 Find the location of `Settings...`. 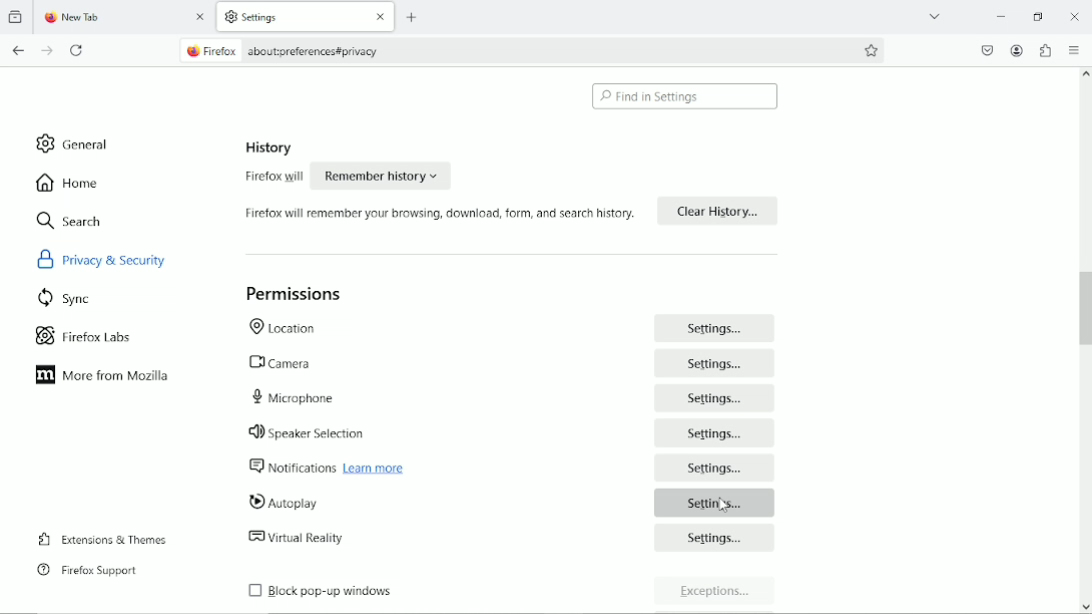

Settings... is located at coordinates (716, 327).